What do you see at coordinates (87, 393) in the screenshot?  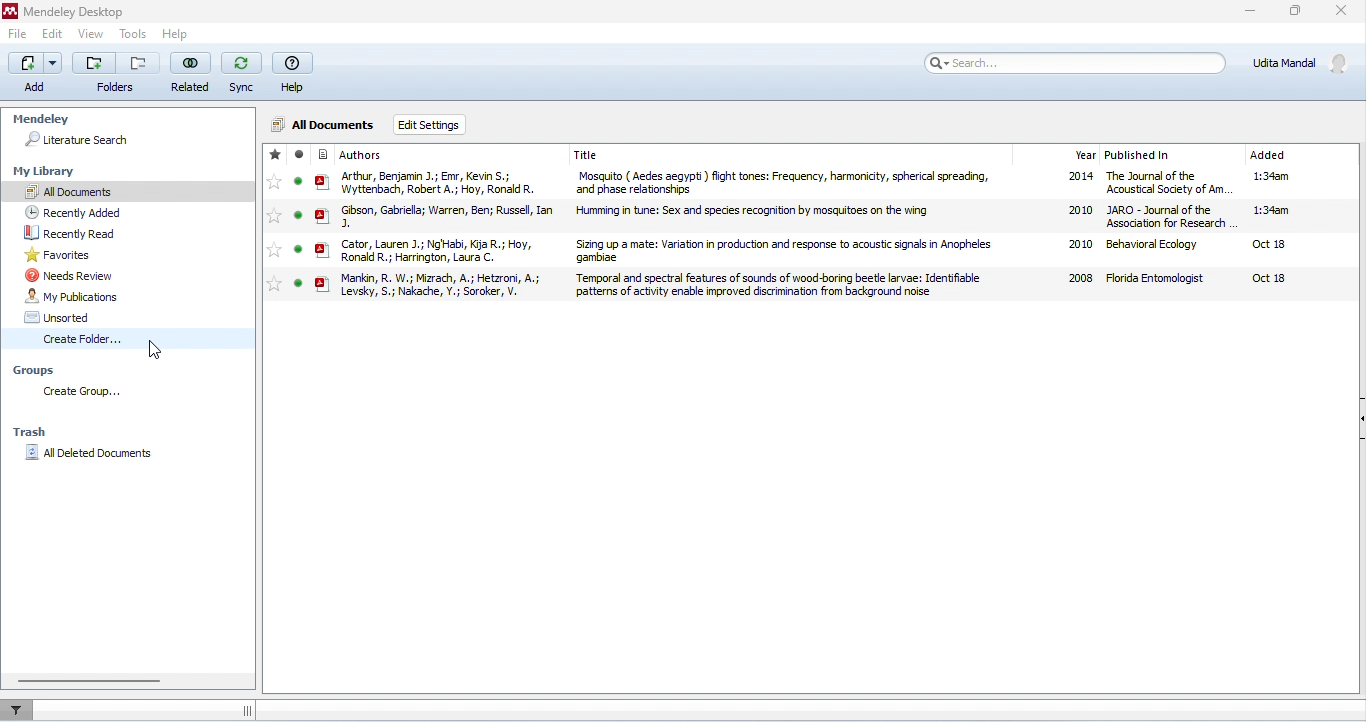 I see `create group` at bounding box center [87, 393].